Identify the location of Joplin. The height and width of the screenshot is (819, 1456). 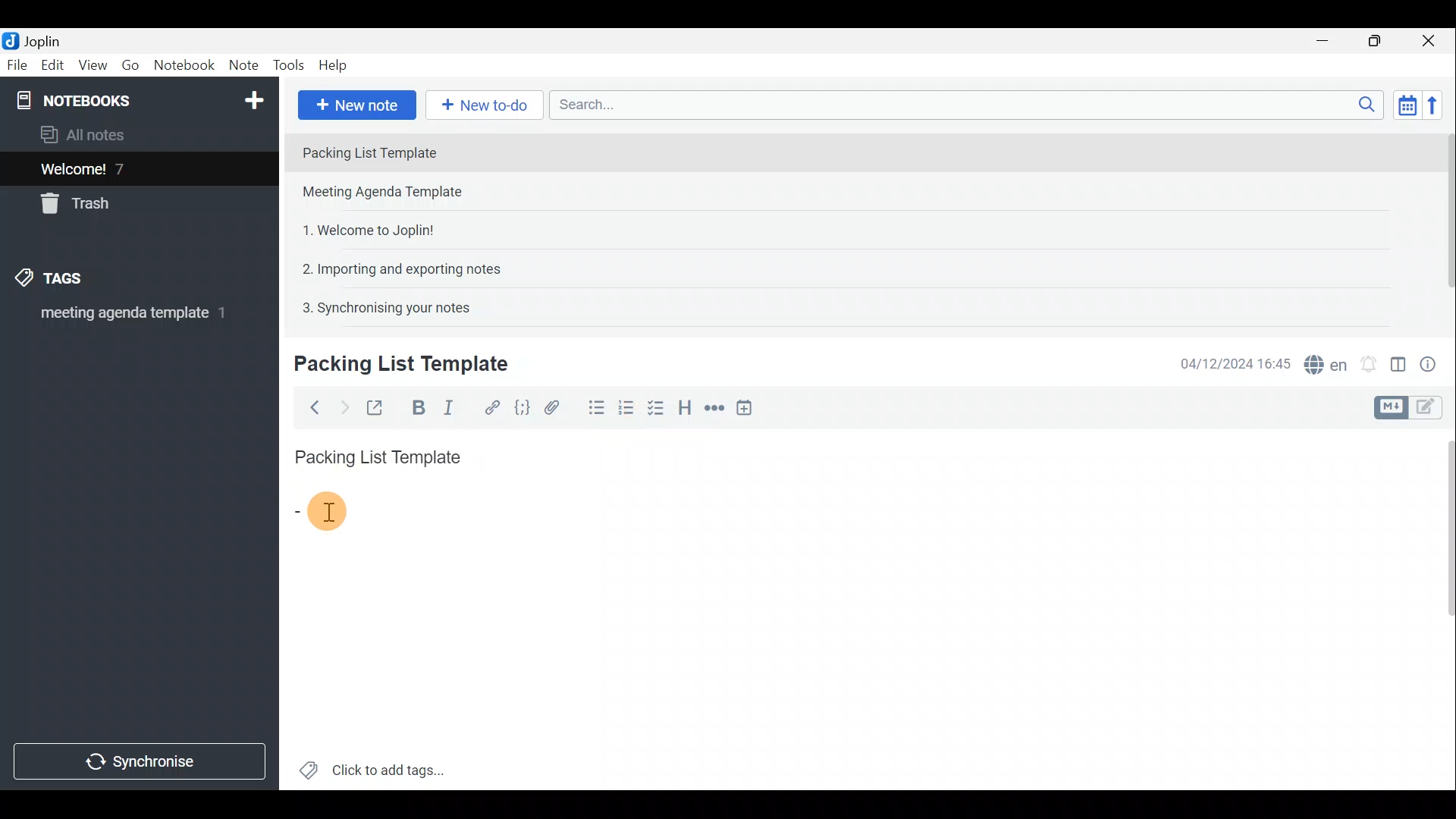
(36, 40).